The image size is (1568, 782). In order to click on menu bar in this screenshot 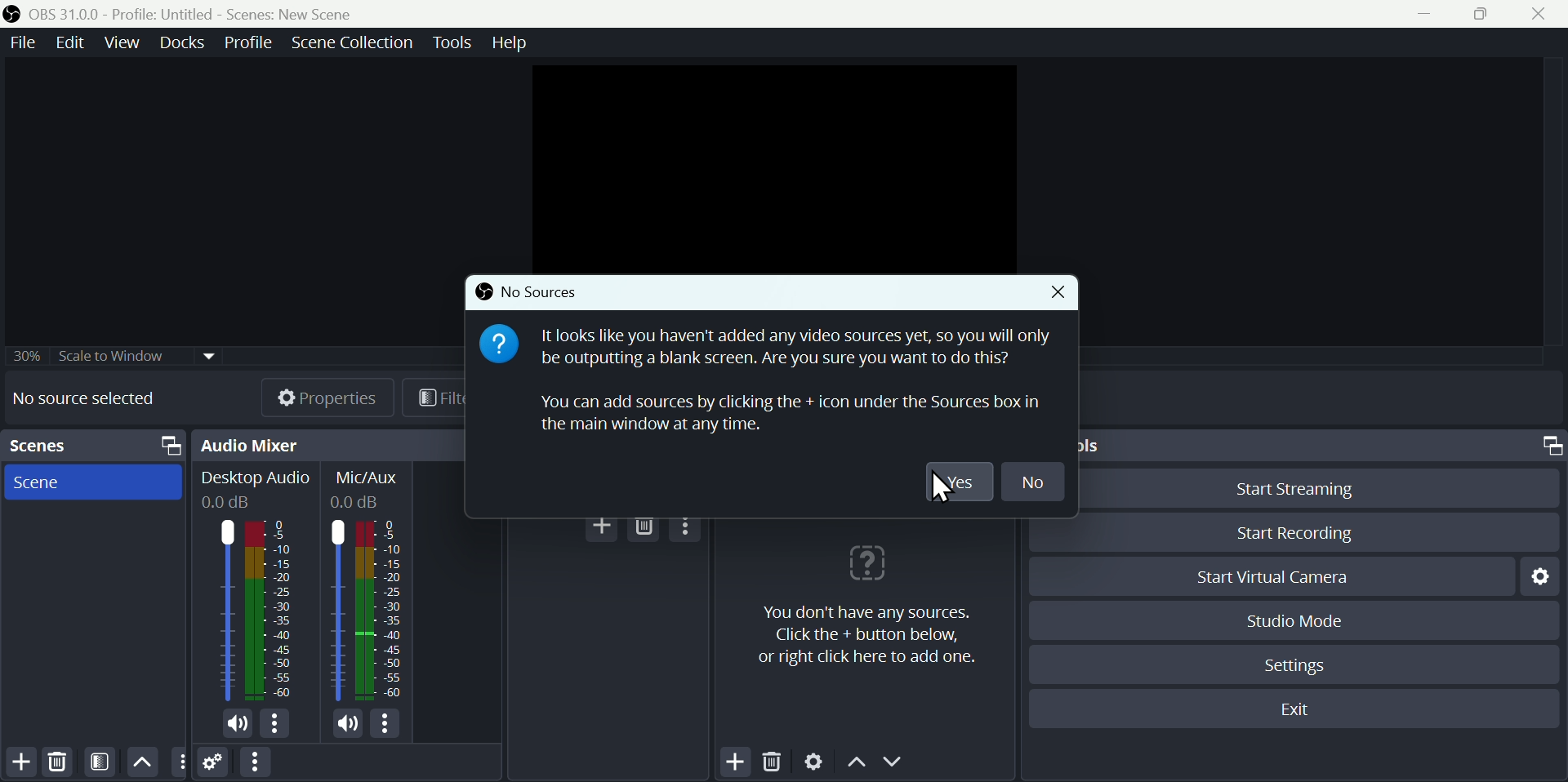, I will do `click(278, 725)`.